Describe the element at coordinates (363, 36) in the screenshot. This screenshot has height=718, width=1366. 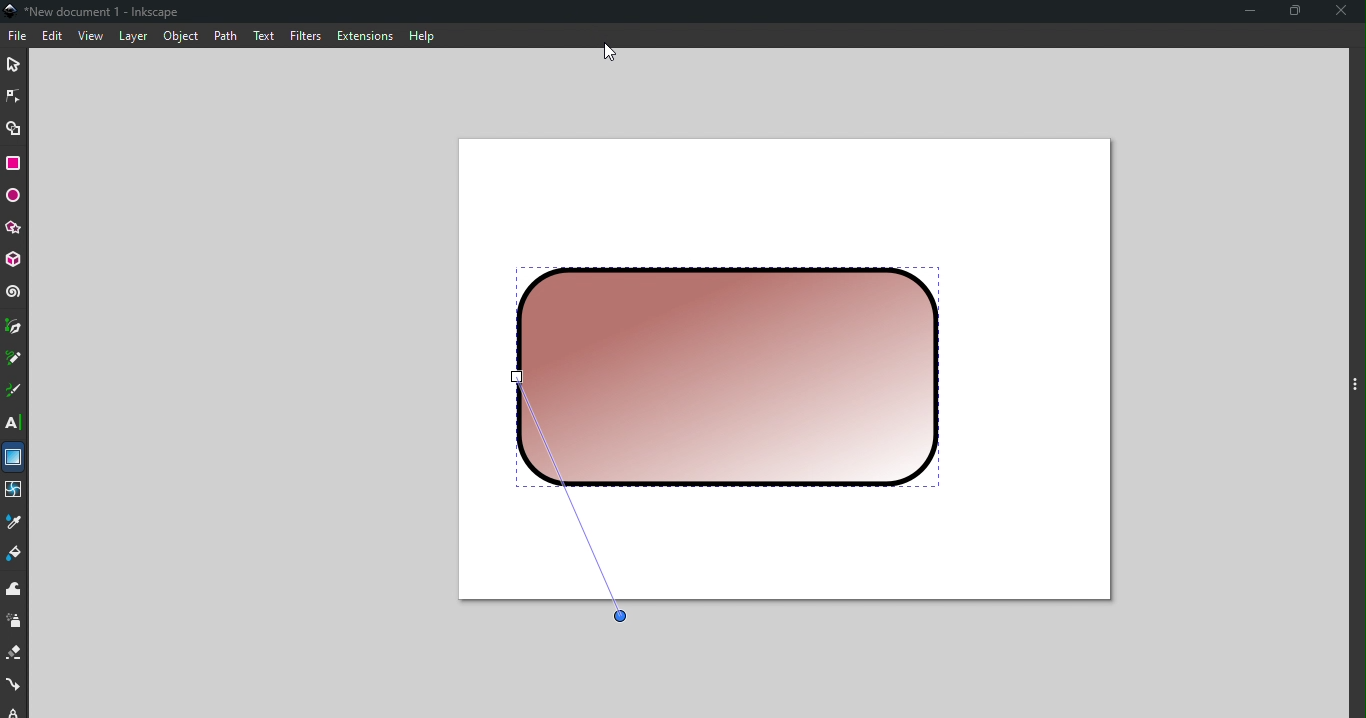
I see `Extensions` at that location.